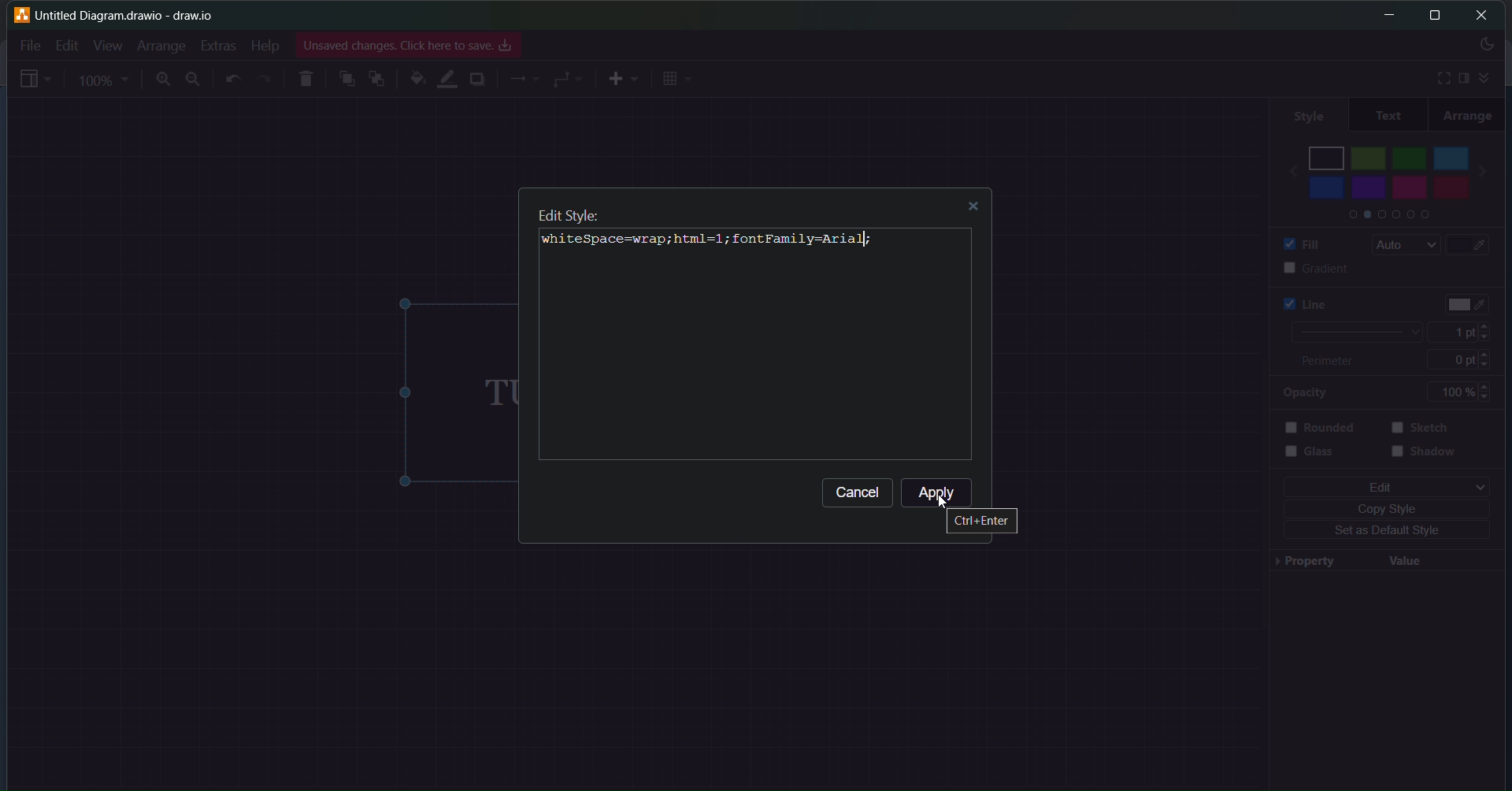 The height and width of the screenshot is (791, 1512). What do you see at coordinates (1301, 268) in the screenshot?
I see `gradient` at bounding box center [1301, 268].